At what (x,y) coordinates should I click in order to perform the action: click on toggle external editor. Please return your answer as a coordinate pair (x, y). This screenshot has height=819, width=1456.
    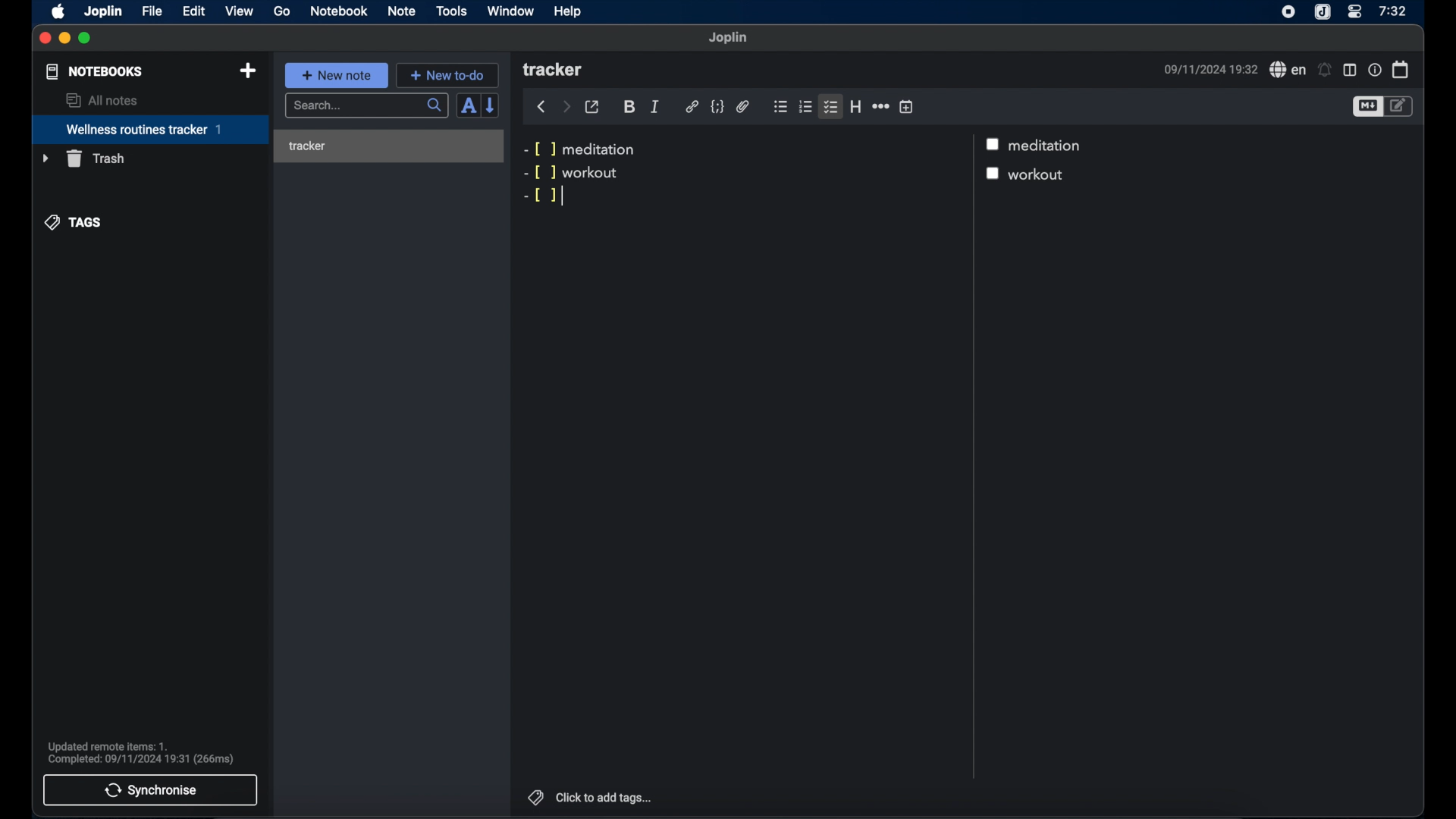
    Looking at the image, I should click on (592, 106).